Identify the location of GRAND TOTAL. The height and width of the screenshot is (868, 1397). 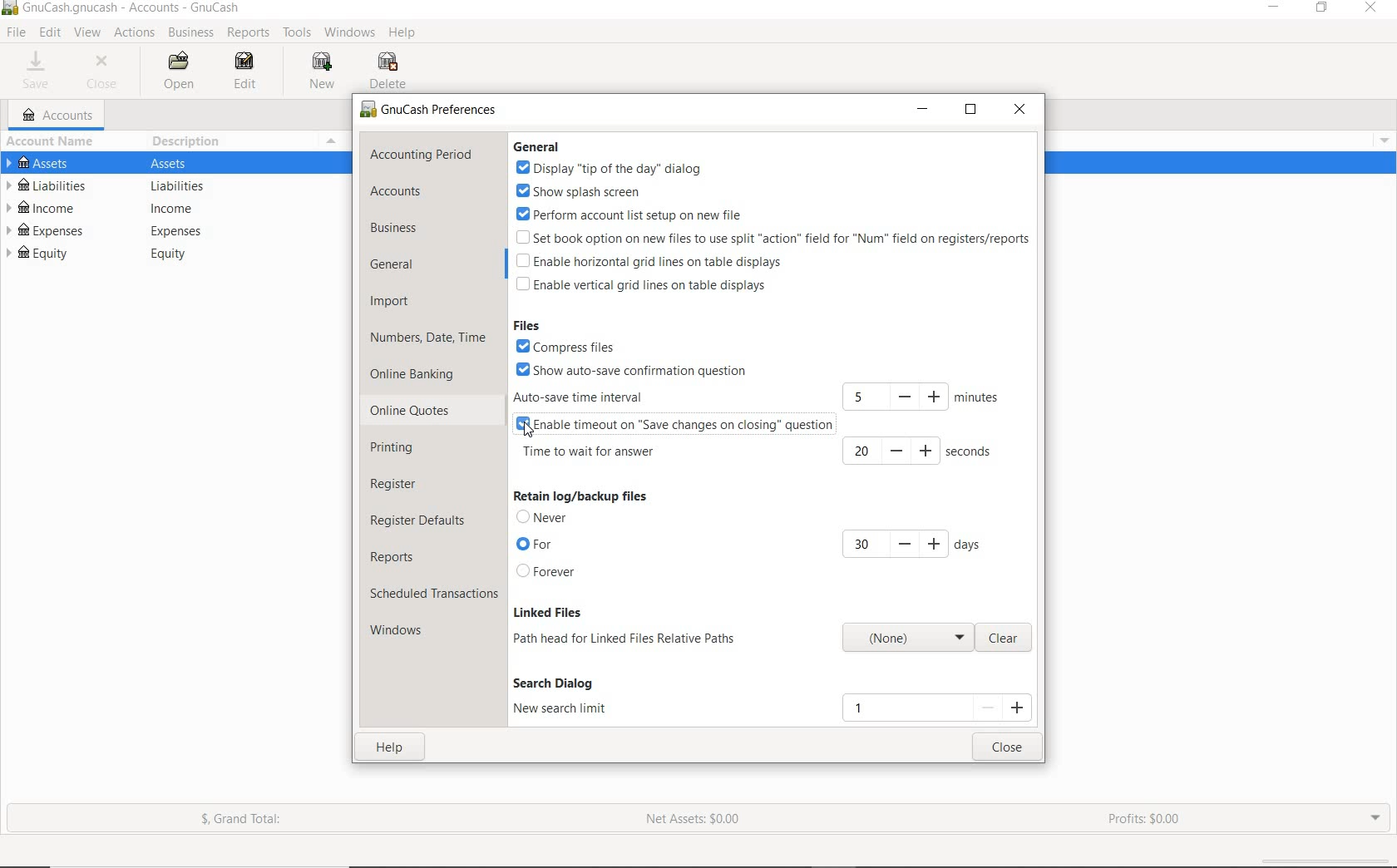
(241, 820).